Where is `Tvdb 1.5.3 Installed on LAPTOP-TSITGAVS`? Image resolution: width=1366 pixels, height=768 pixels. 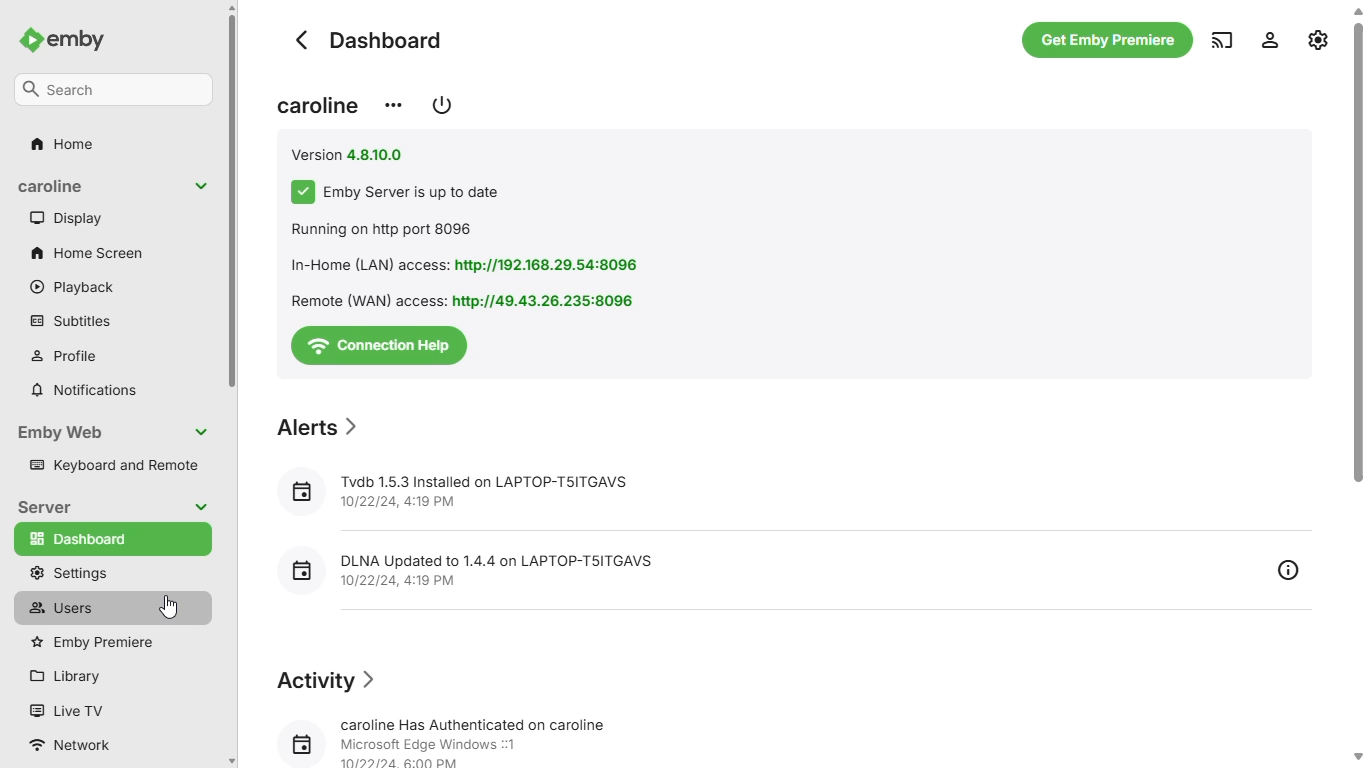 Tvdb 1.5.3 Installed on LAPTOP-TSITGAVS is located at coordinates (488, 481).